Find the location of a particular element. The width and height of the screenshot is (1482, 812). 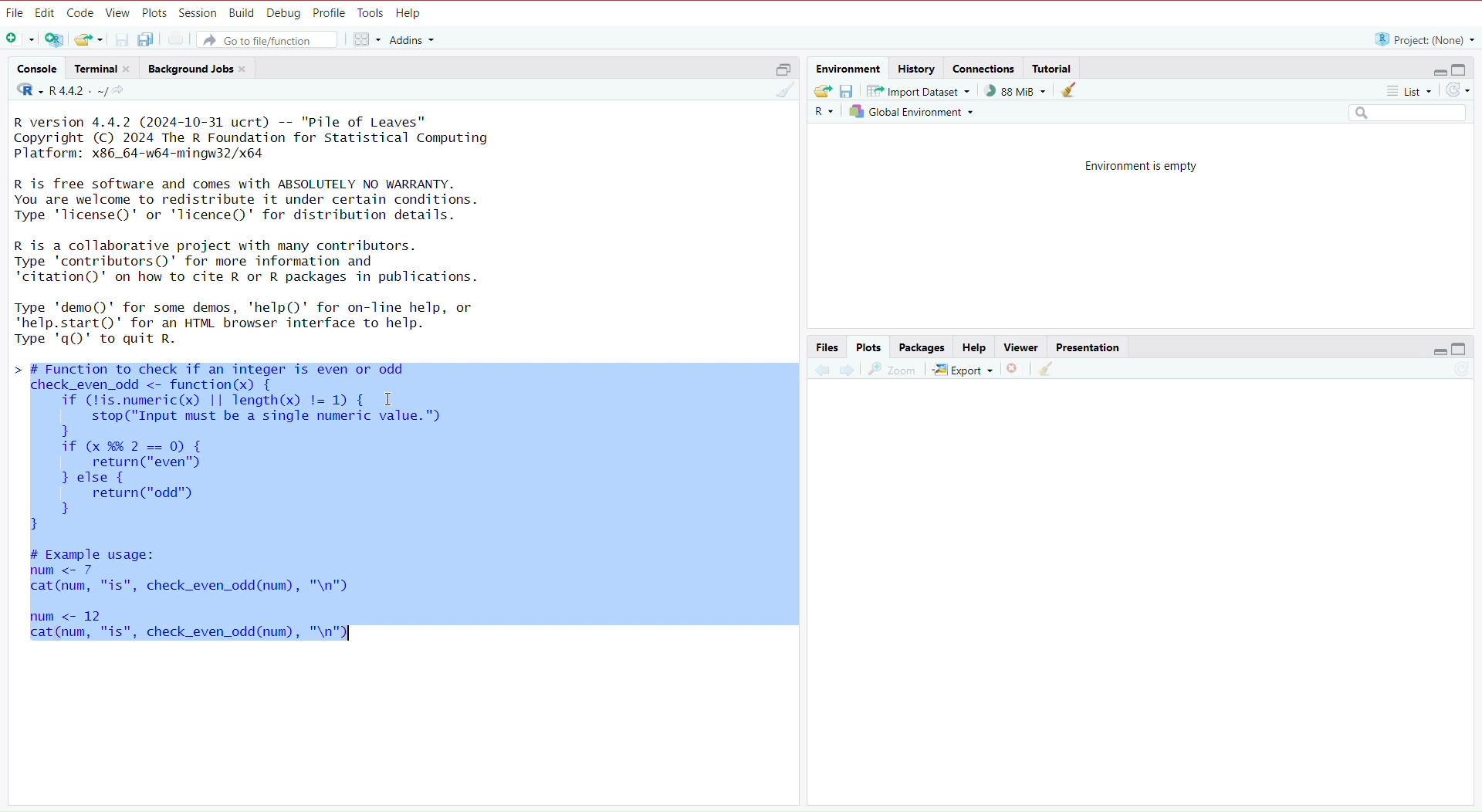

addins is located at coordinates (413, 39).